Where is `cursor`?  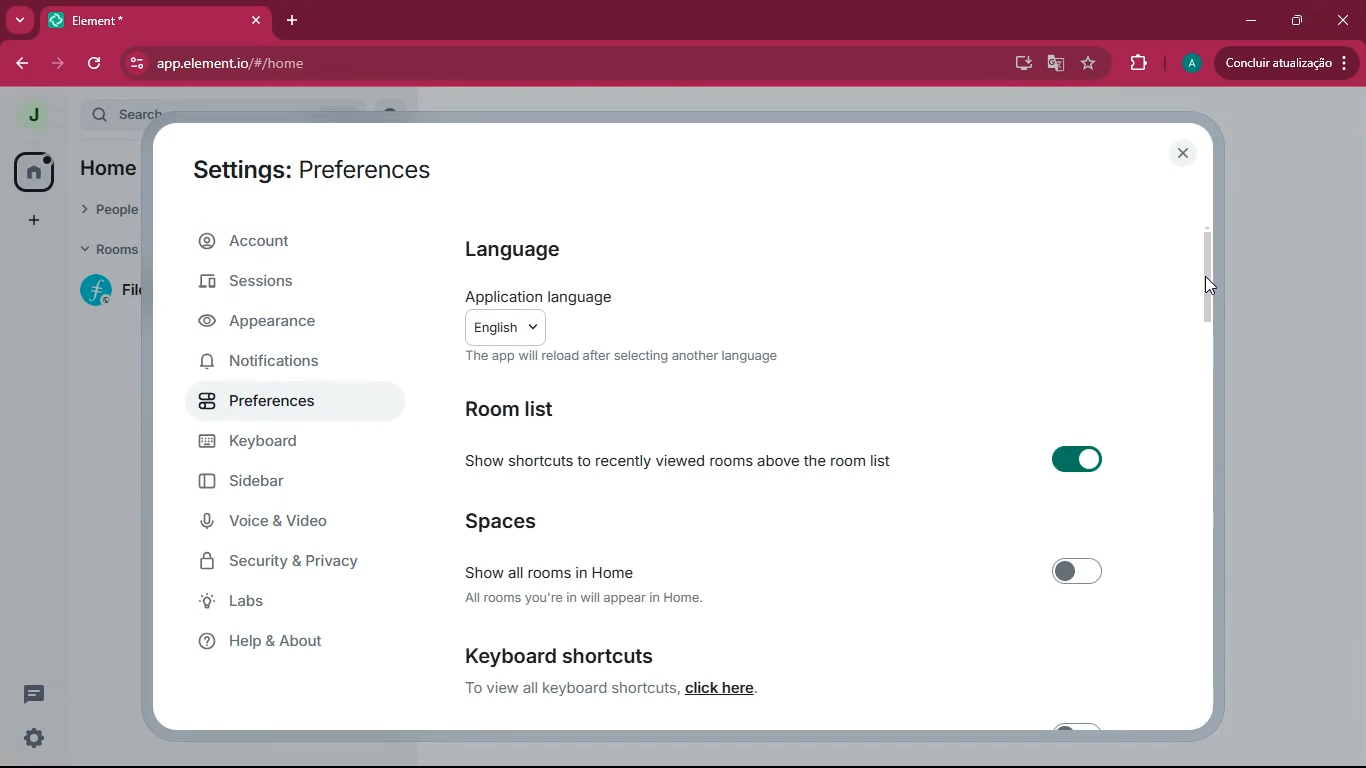
cursor is located at coordinates (1209, 285).